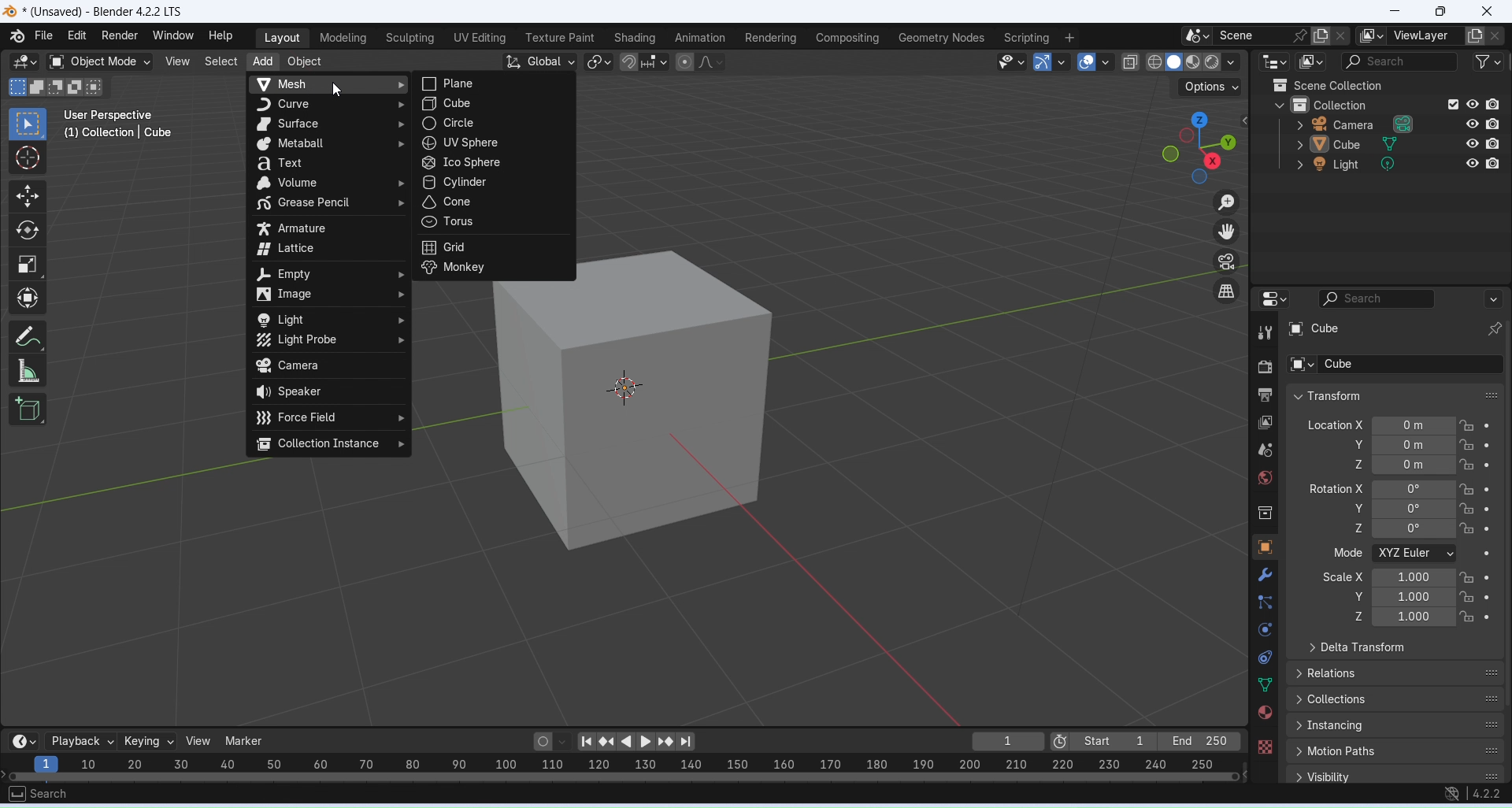 Image resolution: width=1512 pixels, height=808 pixels. I want to click on Sculpting, so click(408, 39).